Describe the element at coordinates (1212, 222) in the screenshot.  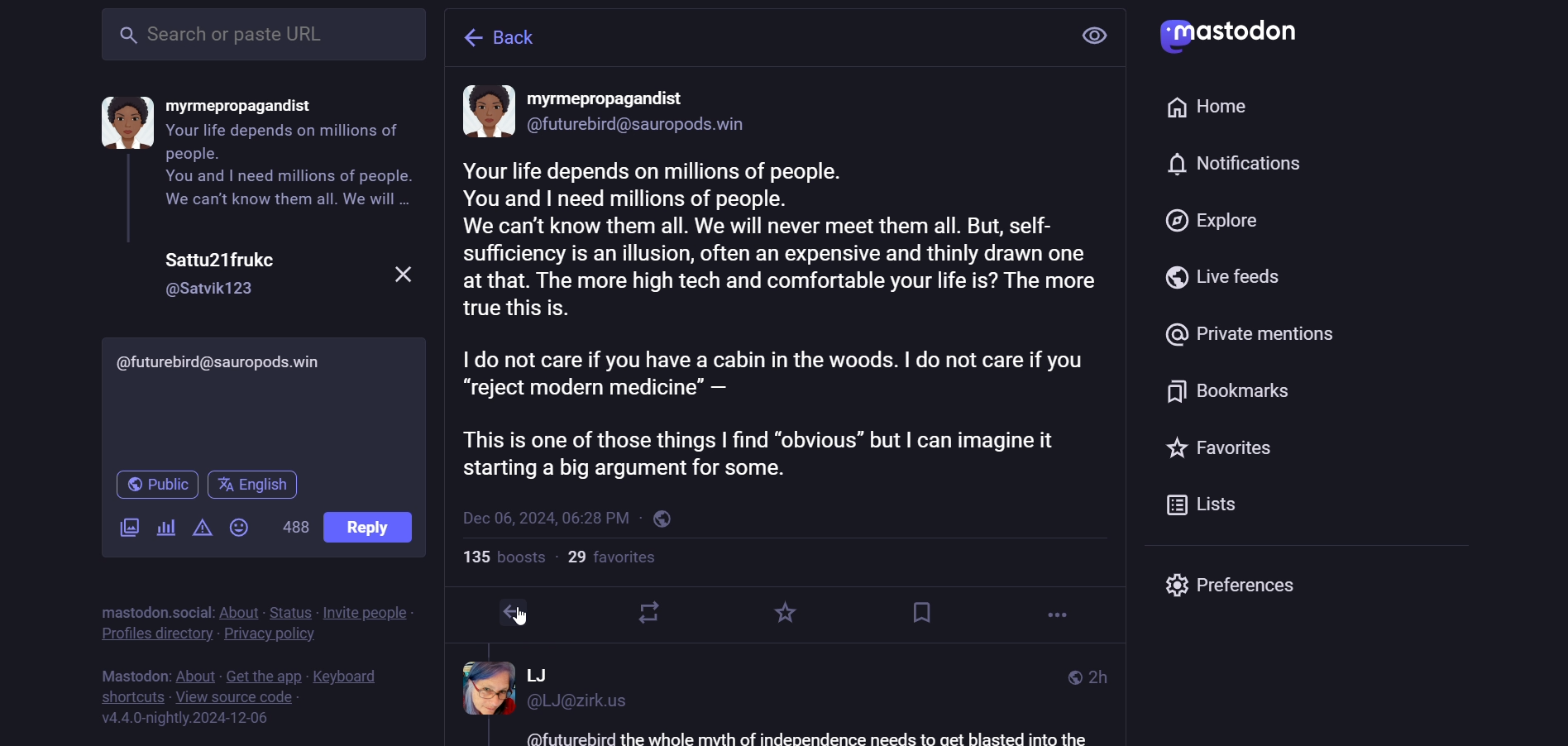
I see `explore` at that location.